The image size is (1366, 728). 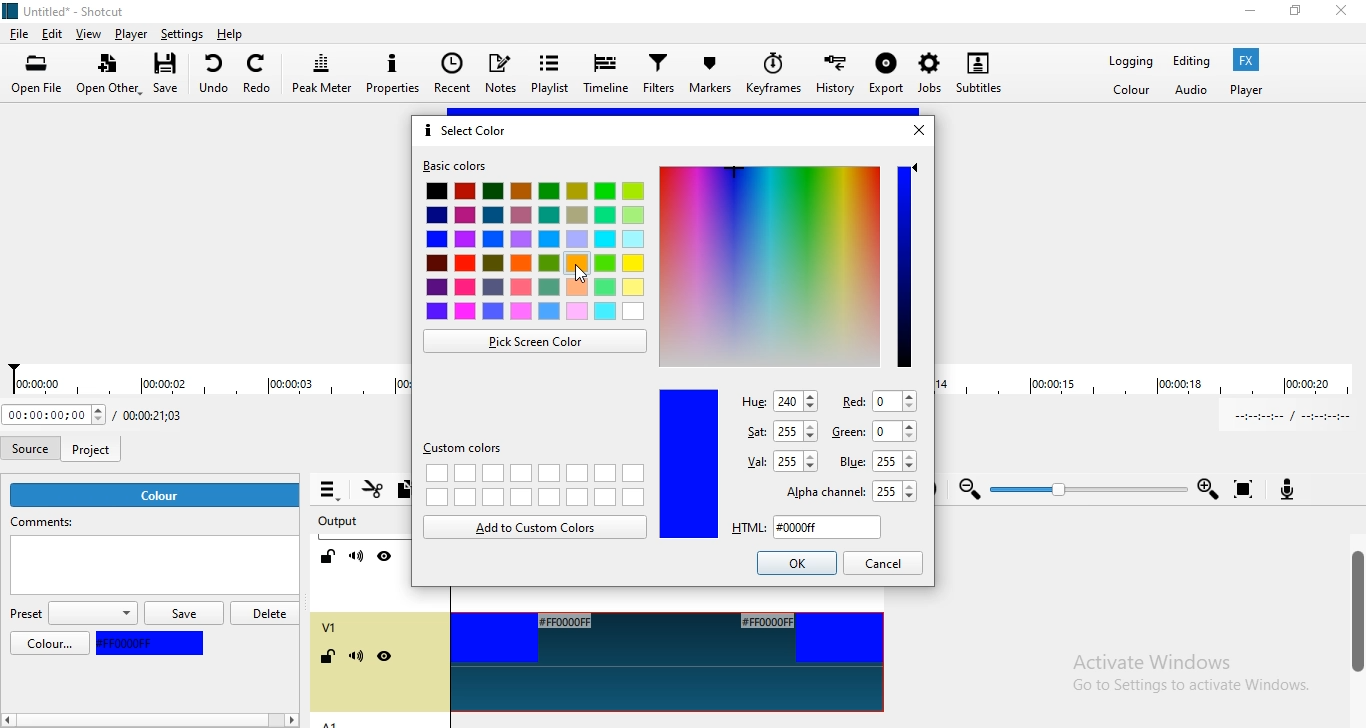 What do you see at coordinates (371, 492) in the screenshot?
I see `Cut` at bounding box center [371, 492].